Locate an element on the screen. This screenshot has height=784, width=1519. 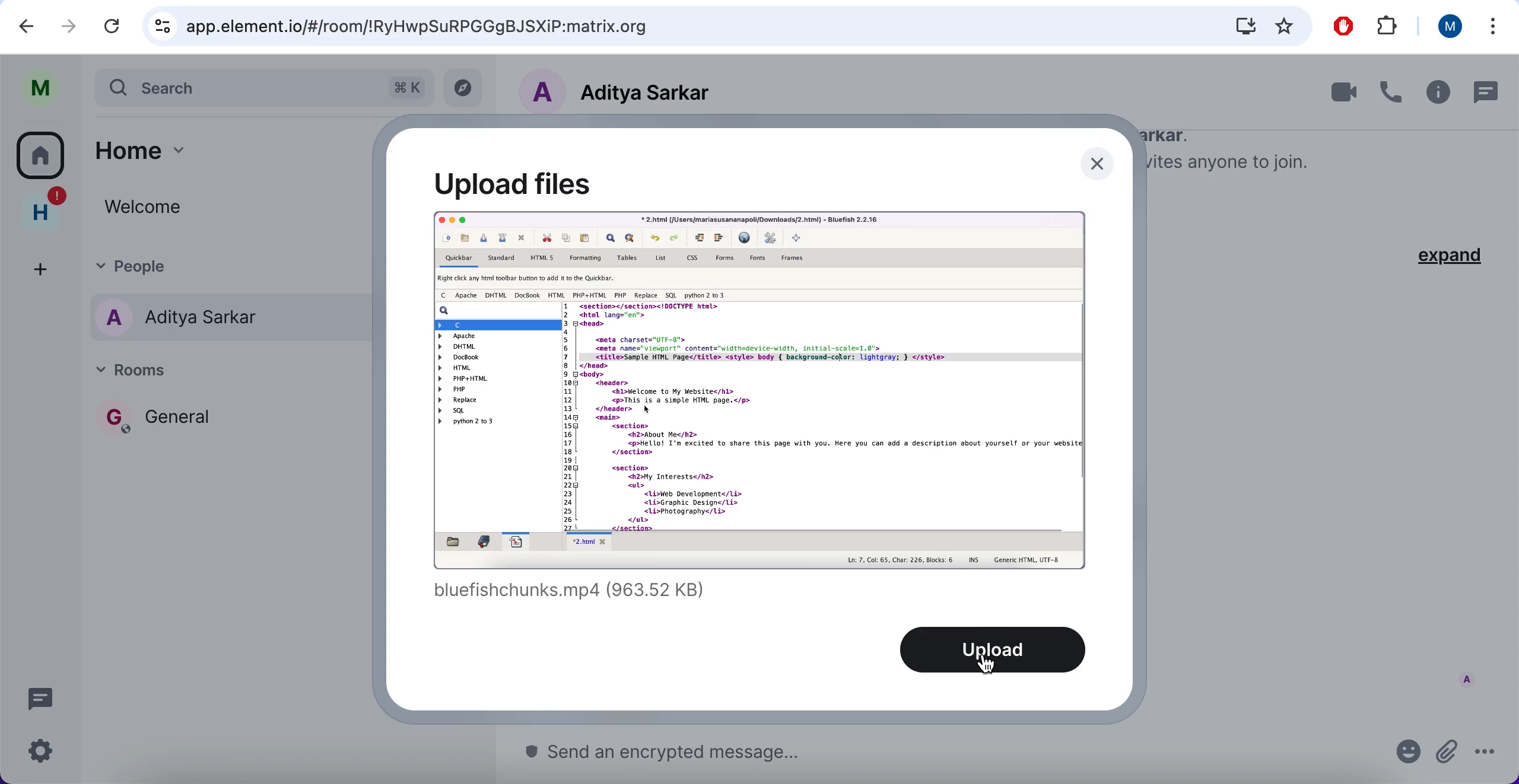
videocall is located at coordinates (1334, 91).